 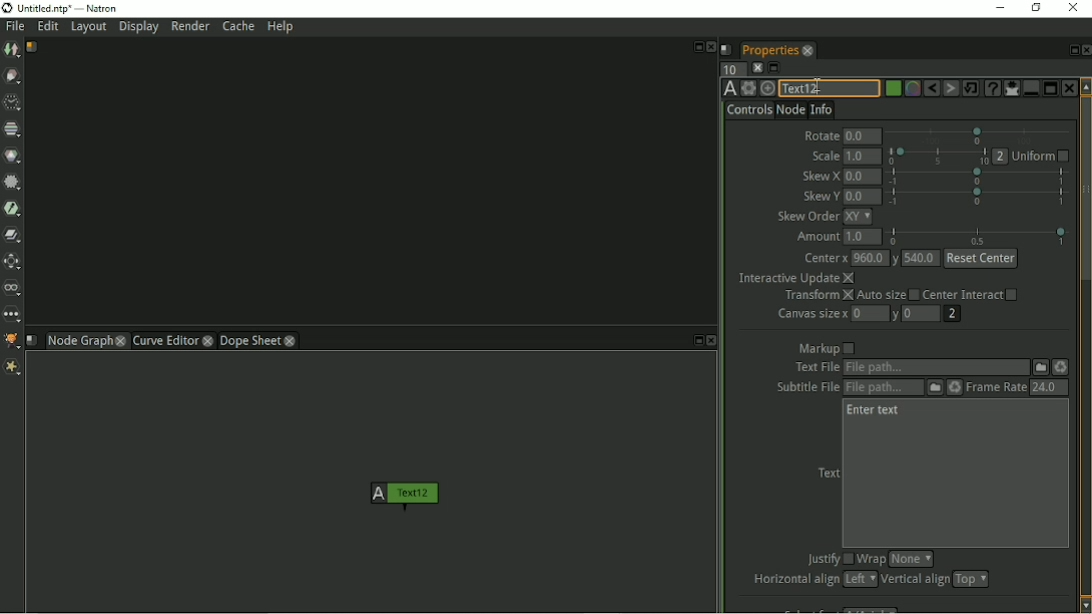 I want to click on Redo, so click(x=951, y=89).